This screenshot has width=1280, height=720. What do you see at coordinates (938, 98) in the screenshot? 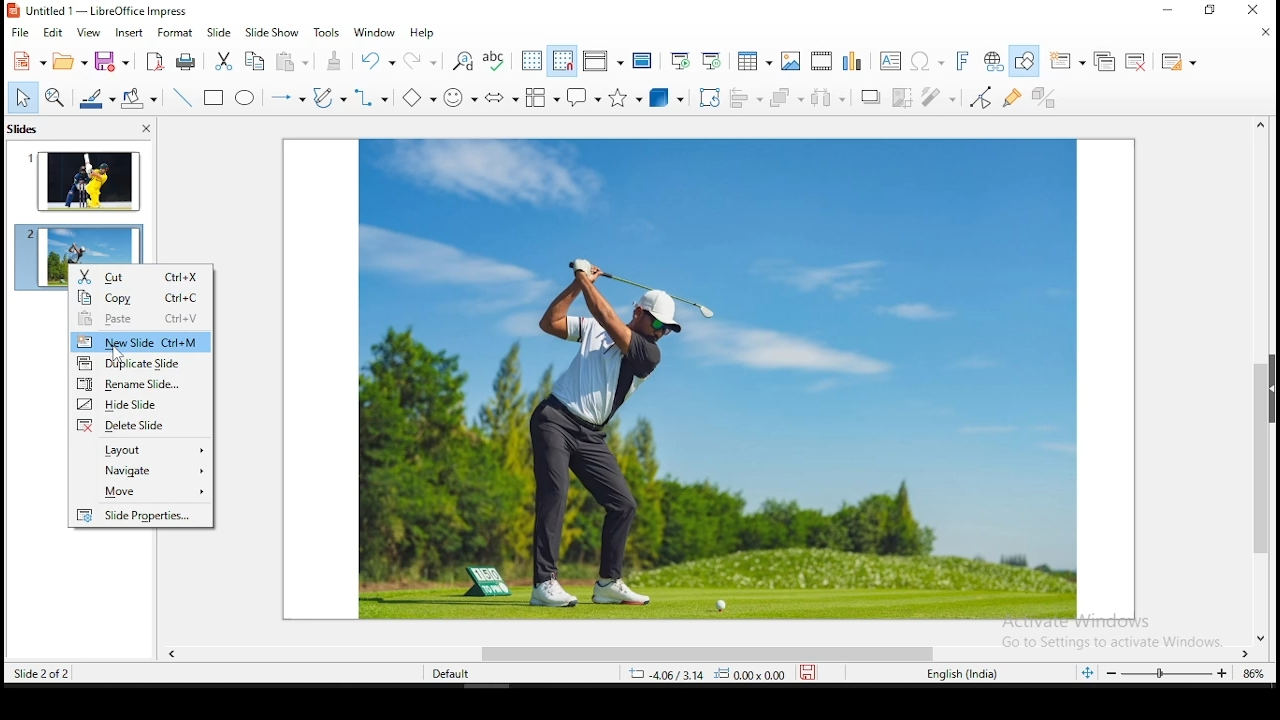
I see `filter` at bounding box center [938, 98].